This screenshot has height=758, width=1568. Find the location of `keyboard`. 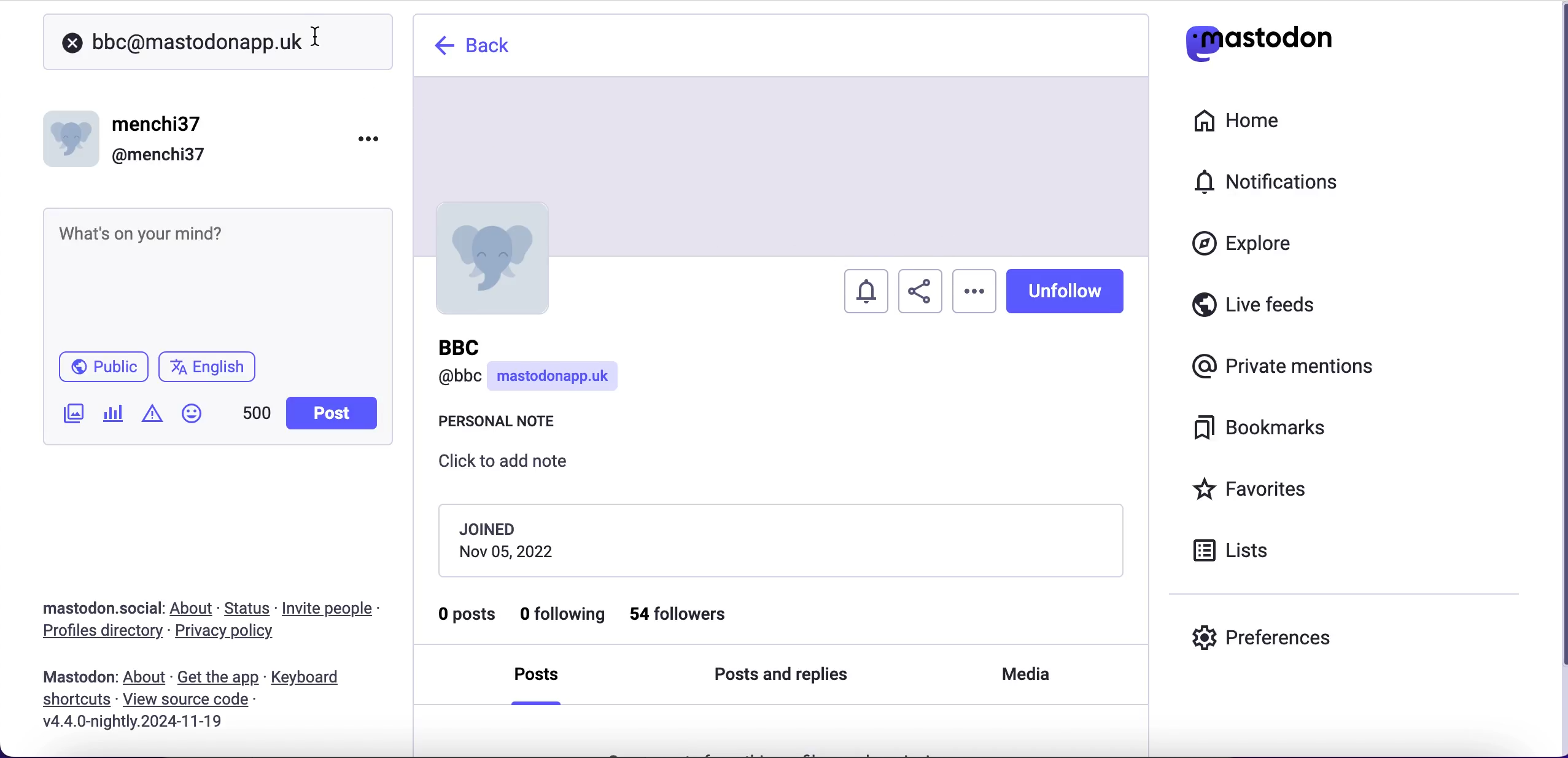

keyboard is located at coordinates (309, 679).